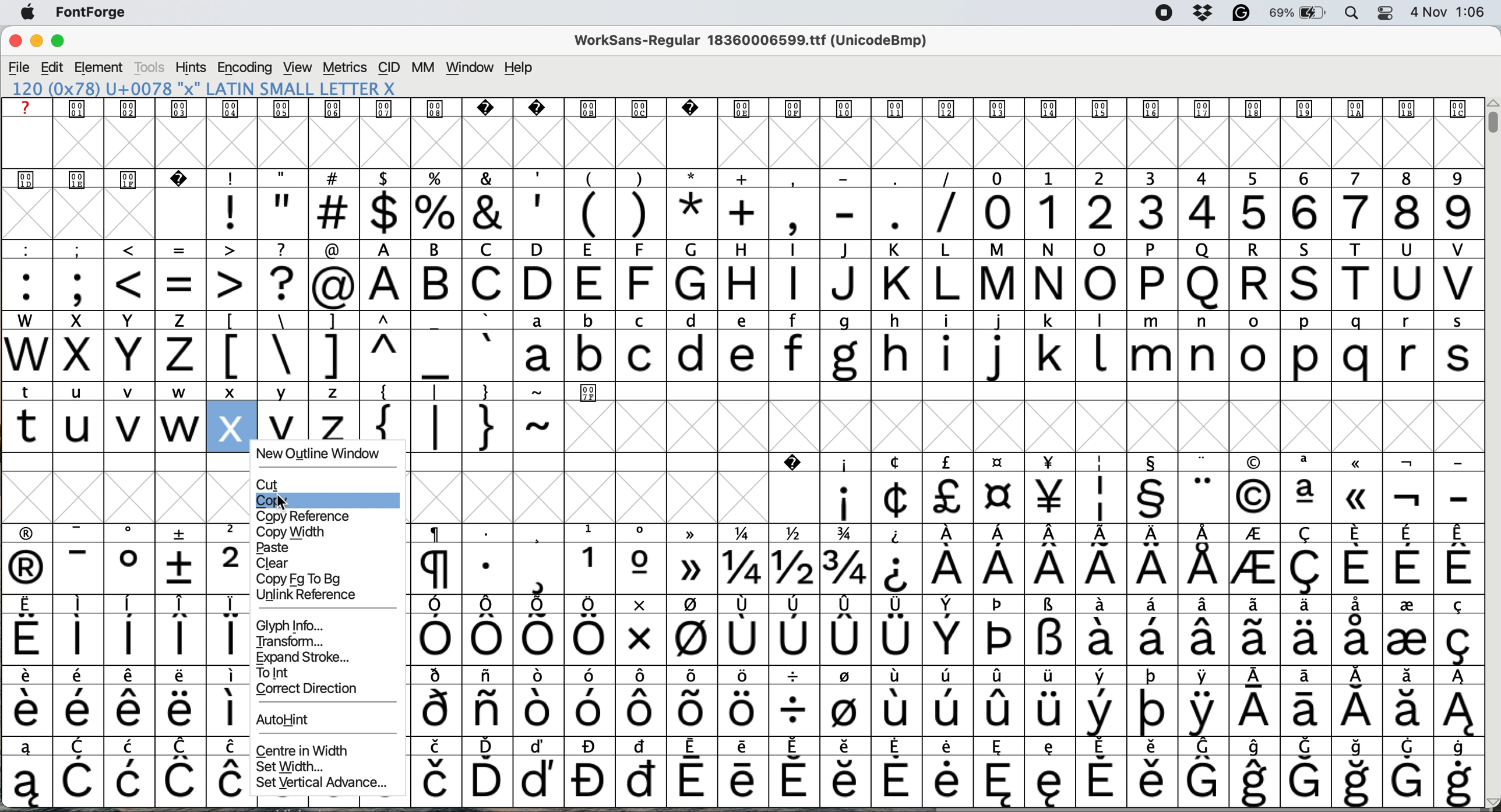  I want to click on lower case letters a to s, so click(993, 355).